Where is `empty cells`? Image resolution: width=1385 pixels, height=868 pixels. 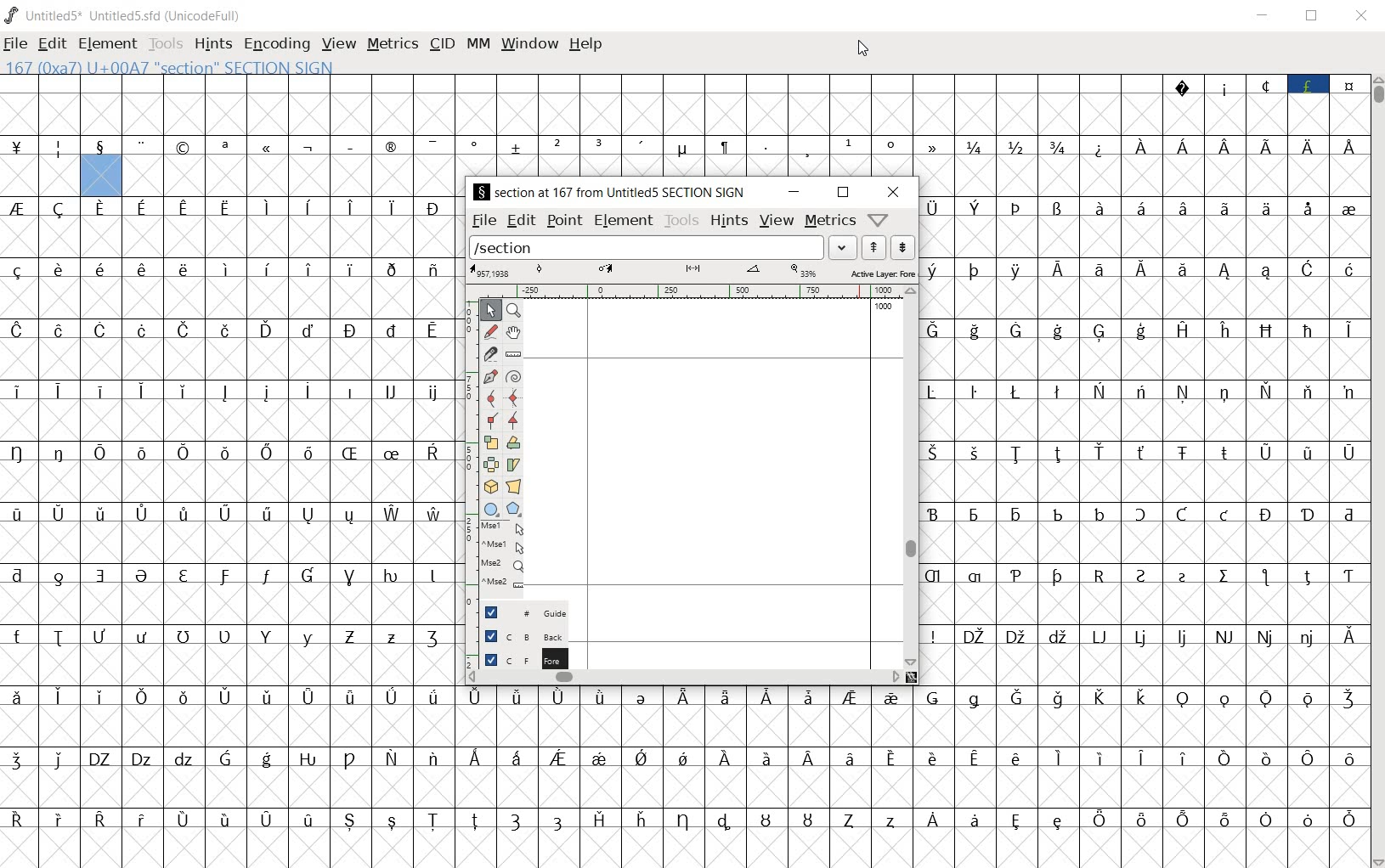
empty cells is located at coordinates (686, 724).